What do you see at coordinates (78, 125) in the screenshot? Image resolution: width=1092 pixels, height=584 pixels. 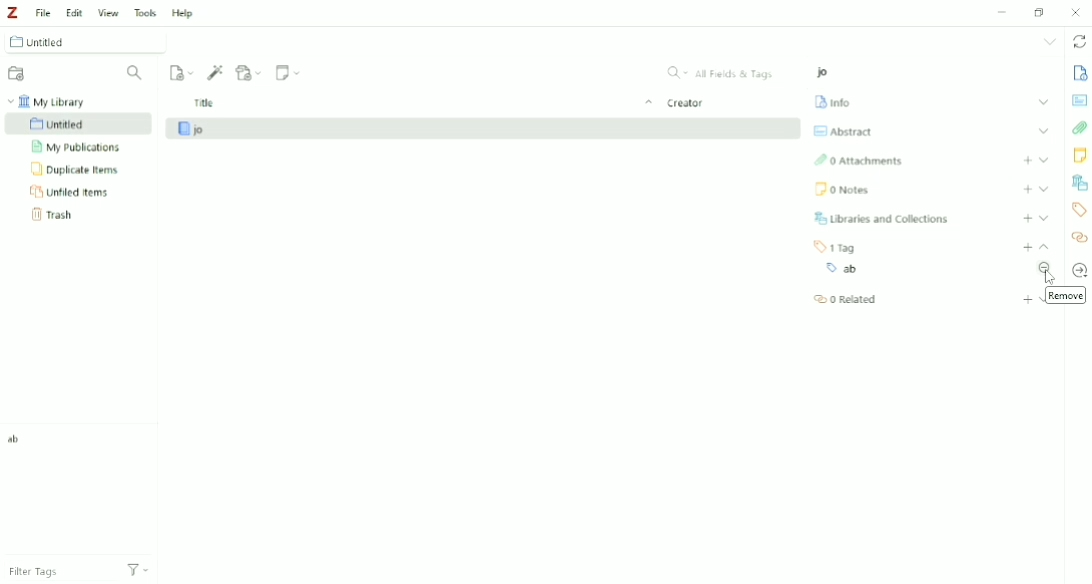 I see `Untitled Collection` at bounding box center [78, 125].